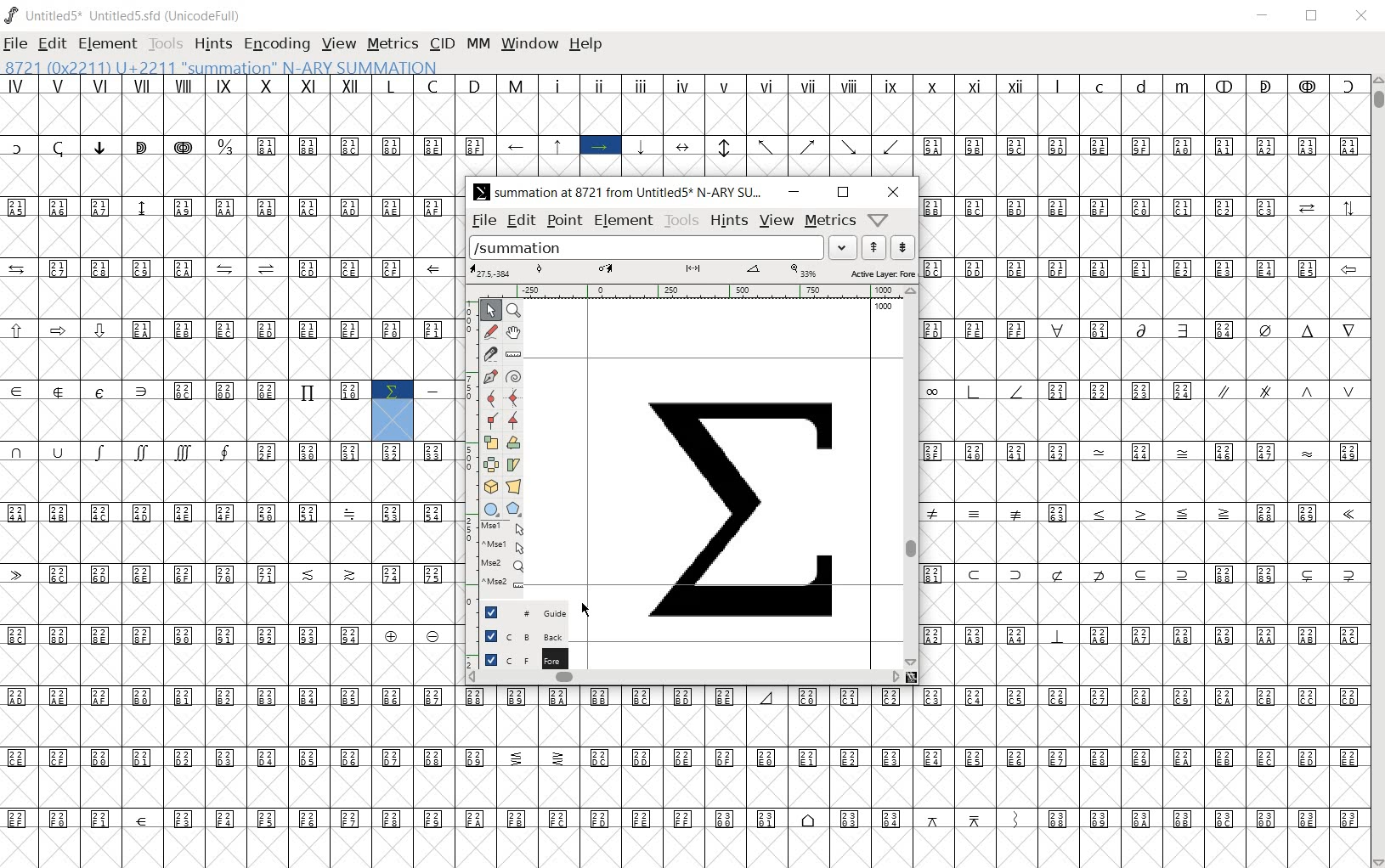 The image size is (1385, 868). I want to click on view, so click(776, 219).